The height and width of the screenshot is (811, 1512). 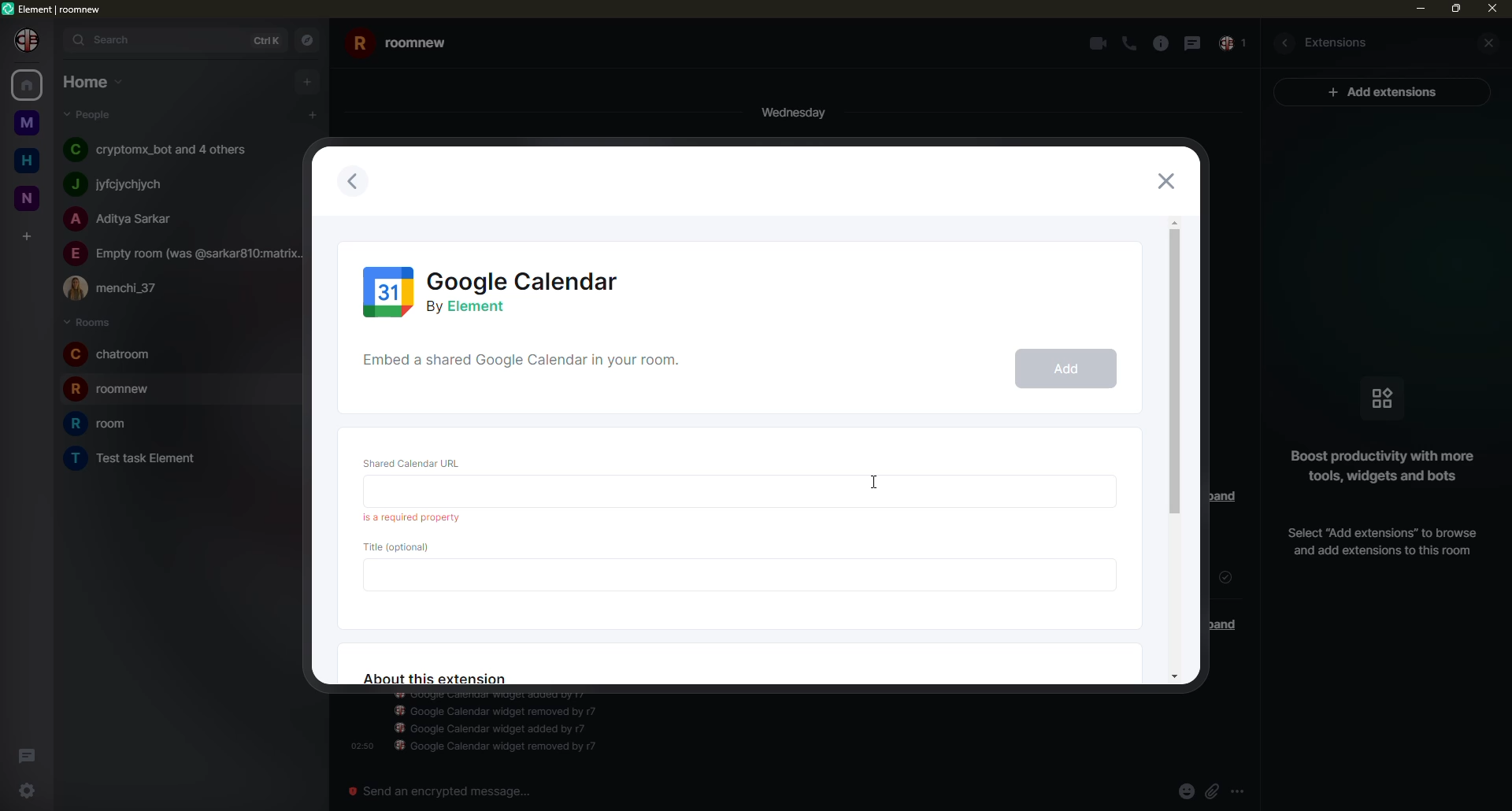 What do you see at coordinates (1176, 221) in the screenshot?
I see `move up` at bounding box center [1176, 221].